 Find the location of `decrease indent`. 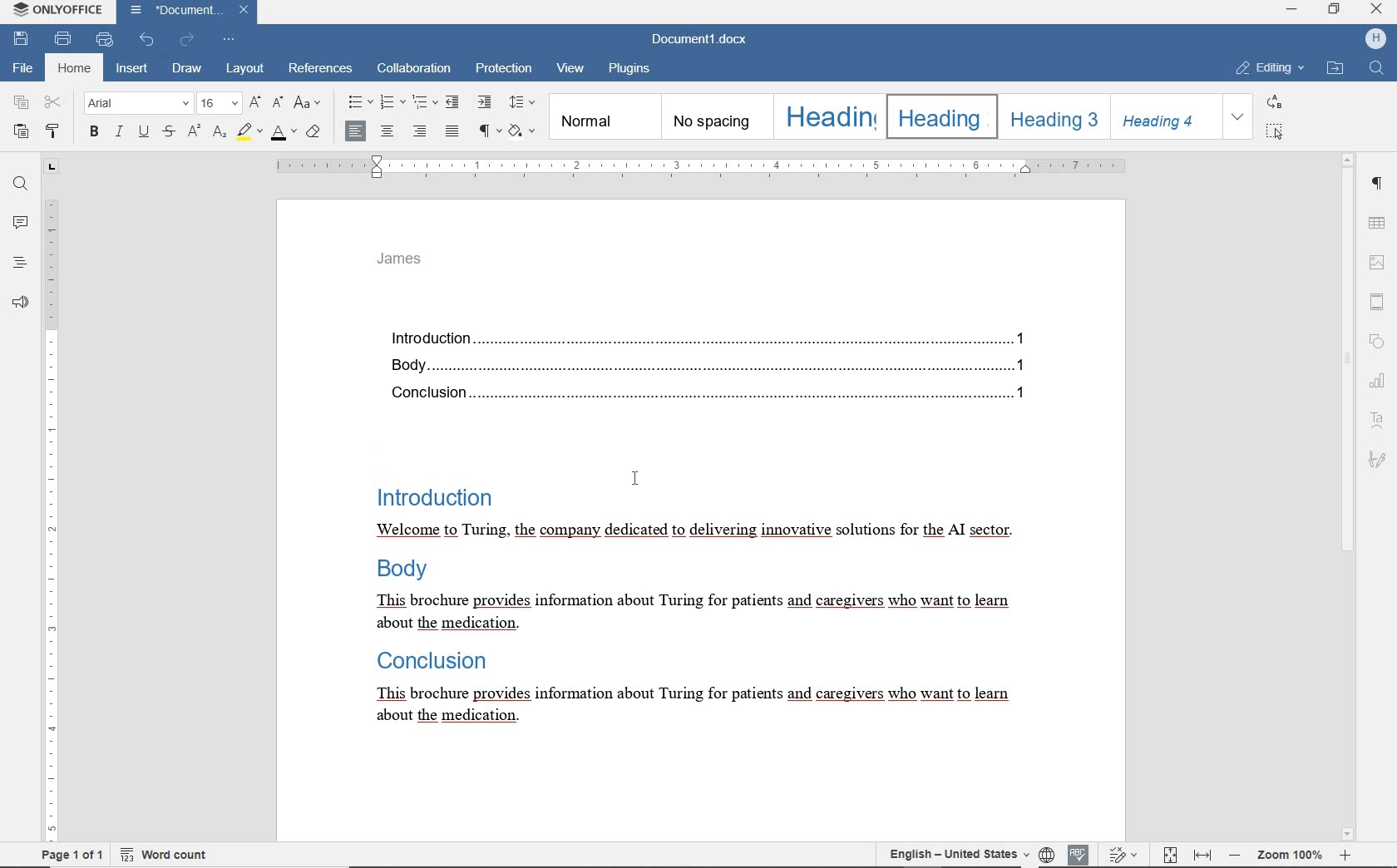

decrease indent is located at coordinates (454, 101).